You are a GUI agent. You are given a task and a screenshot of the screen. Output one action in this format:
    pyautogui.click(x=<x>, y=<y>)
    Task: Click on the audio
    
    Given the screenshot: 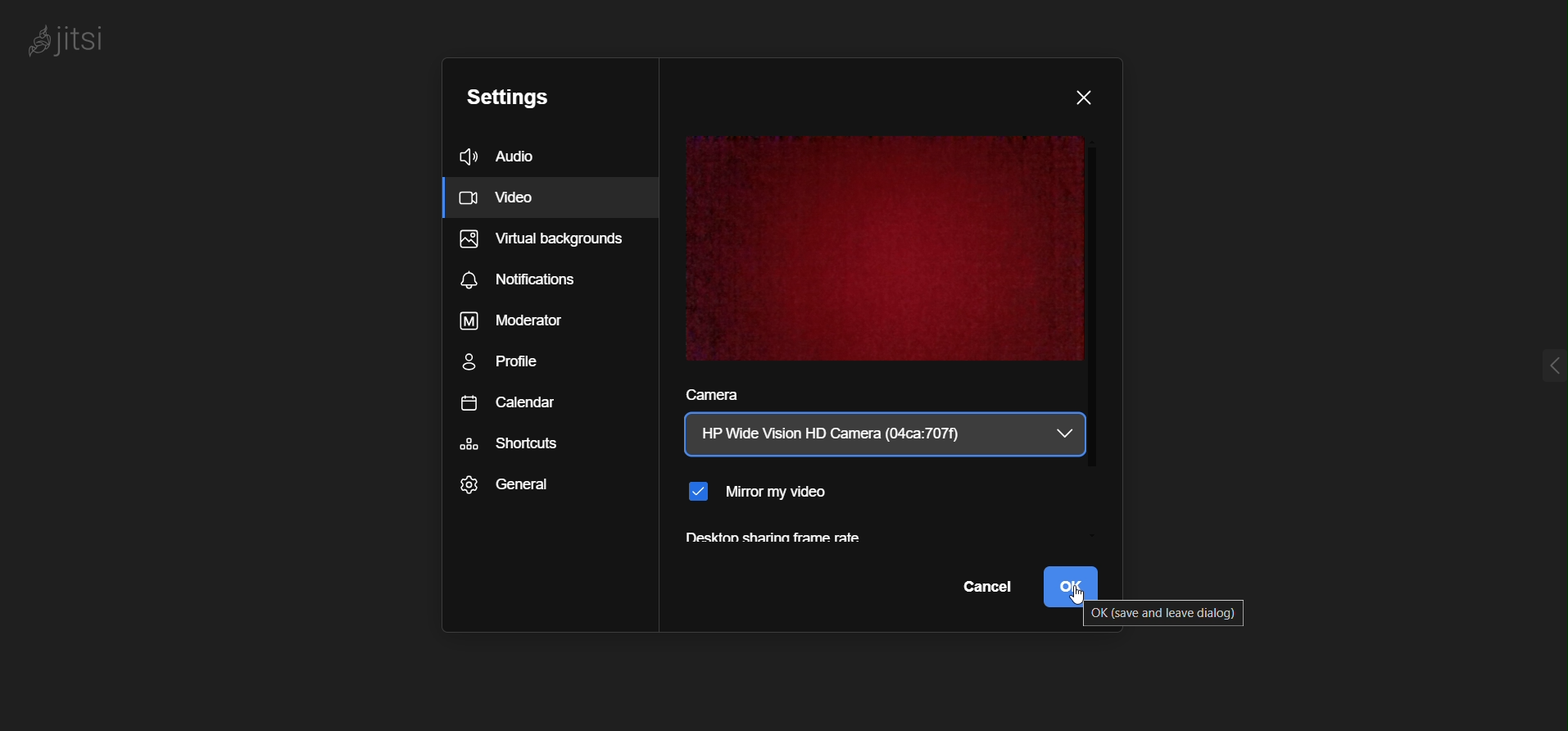 What is the action you would take?
    pyautogui.click(x=497, y=153)
    